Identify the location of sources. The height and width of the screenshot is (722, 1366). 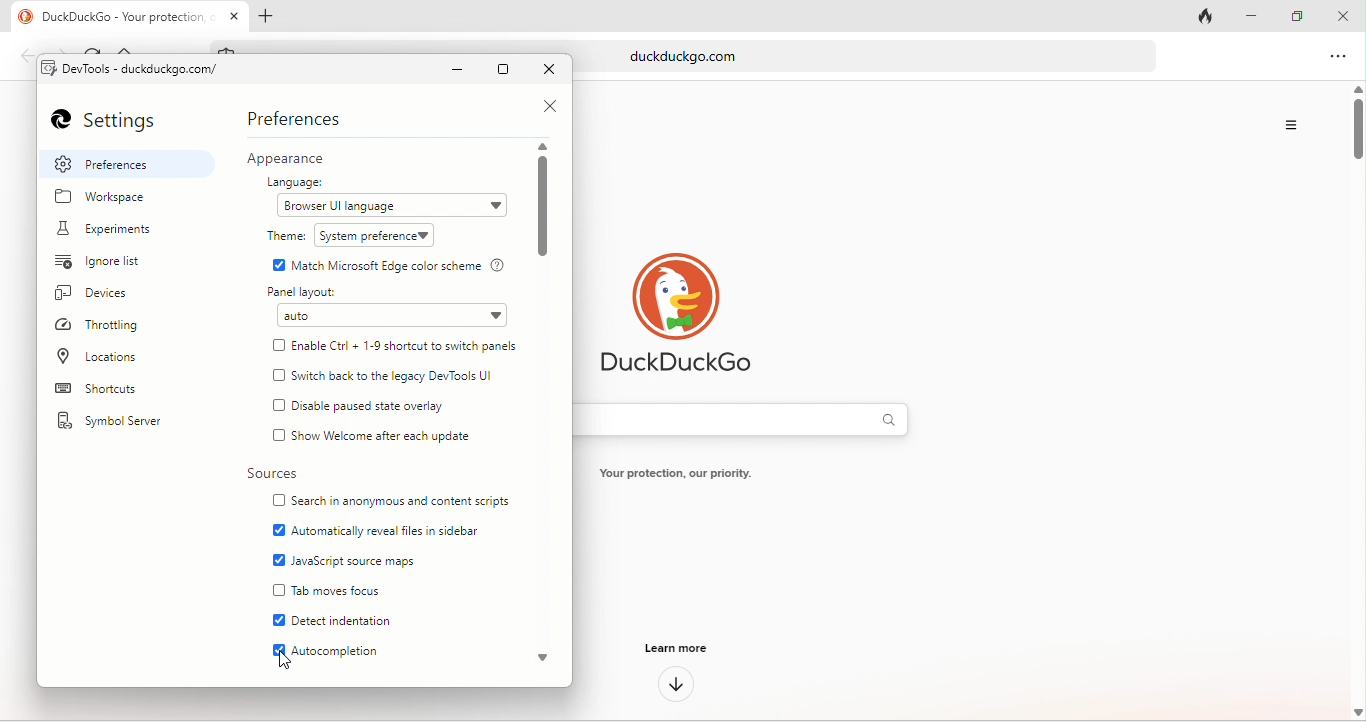
(271, 475).